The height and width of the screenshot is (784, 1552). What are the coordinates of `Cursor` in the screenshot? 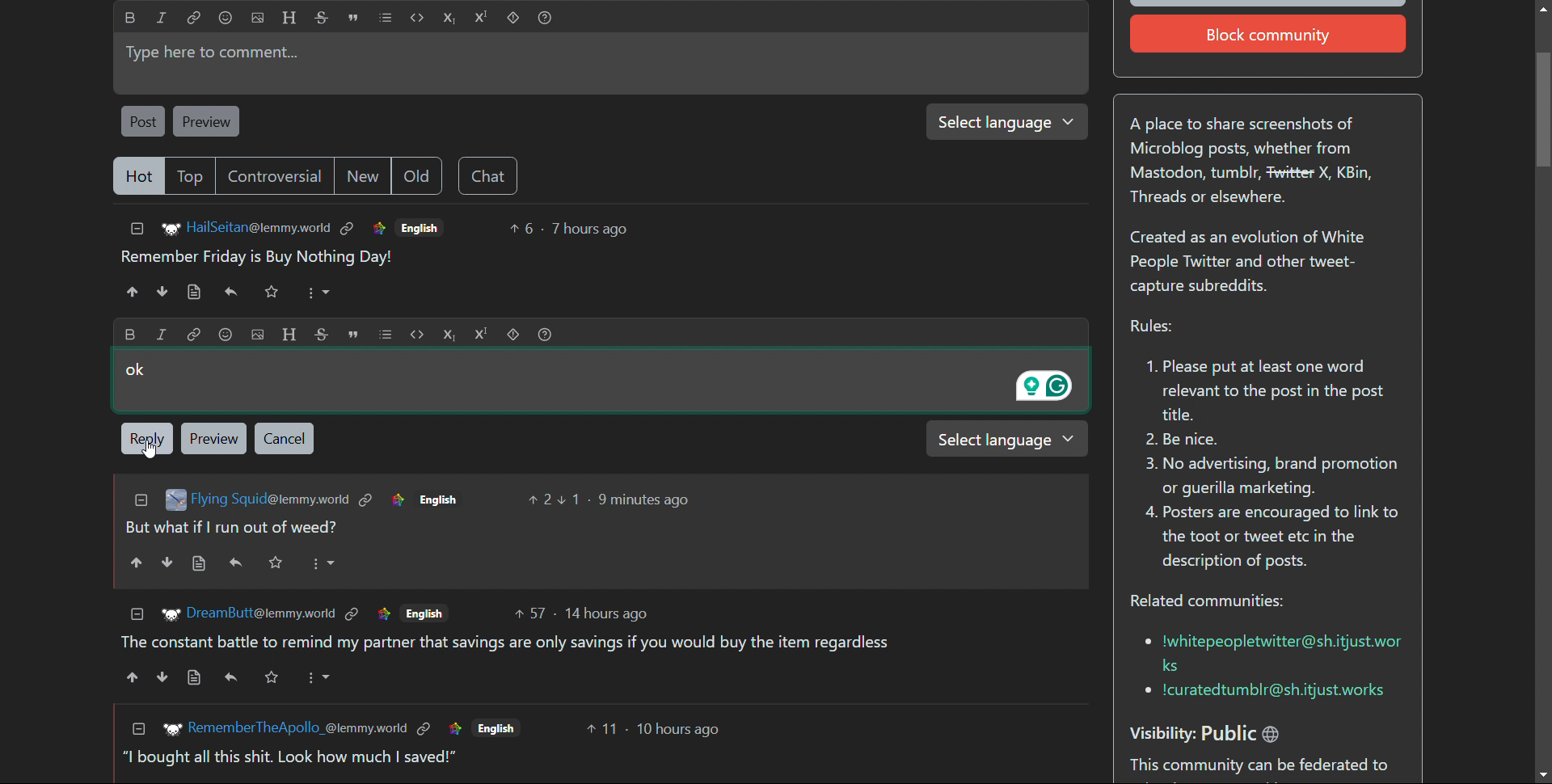 It's located at (145, 453).